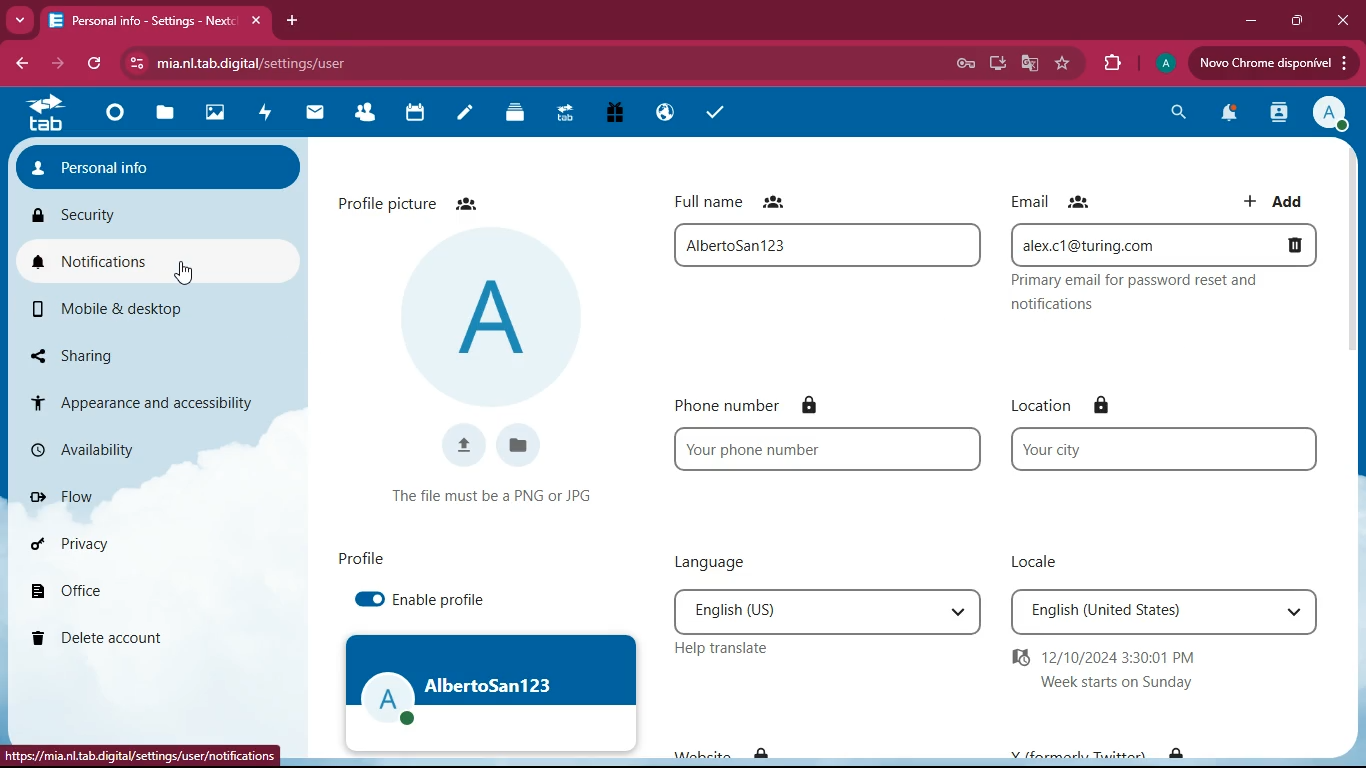 Image resolution: width=1366 pixels, height=768 pixels. What do you see at coordinates (108, 641) in the screenshot?
I see `delete` at bounding box center [108, 641].